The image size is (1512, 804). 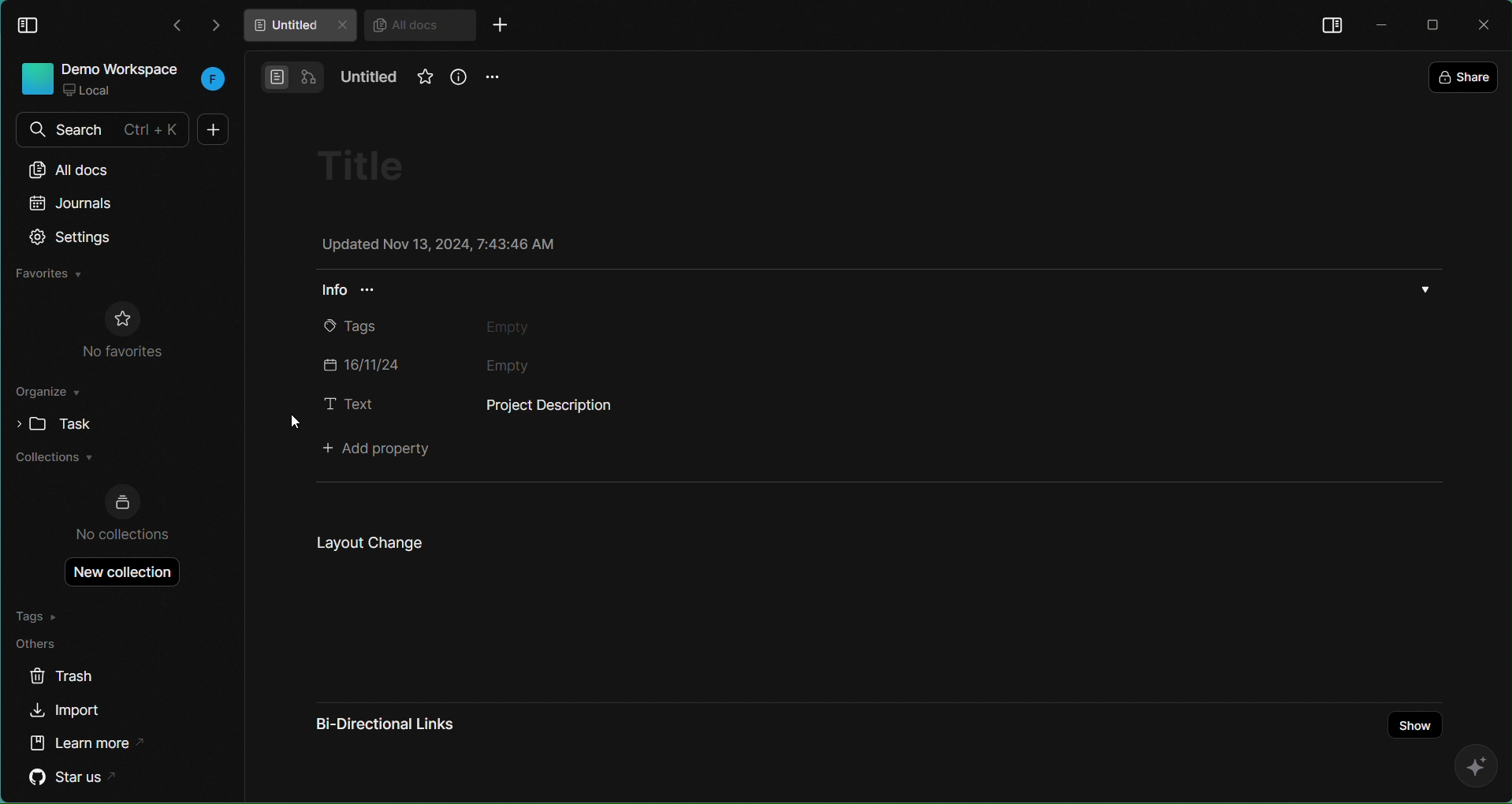 What do you see at coordinates (43, 615) in the screenshot?
I see `Tags »` at bounding box center [43, 615].